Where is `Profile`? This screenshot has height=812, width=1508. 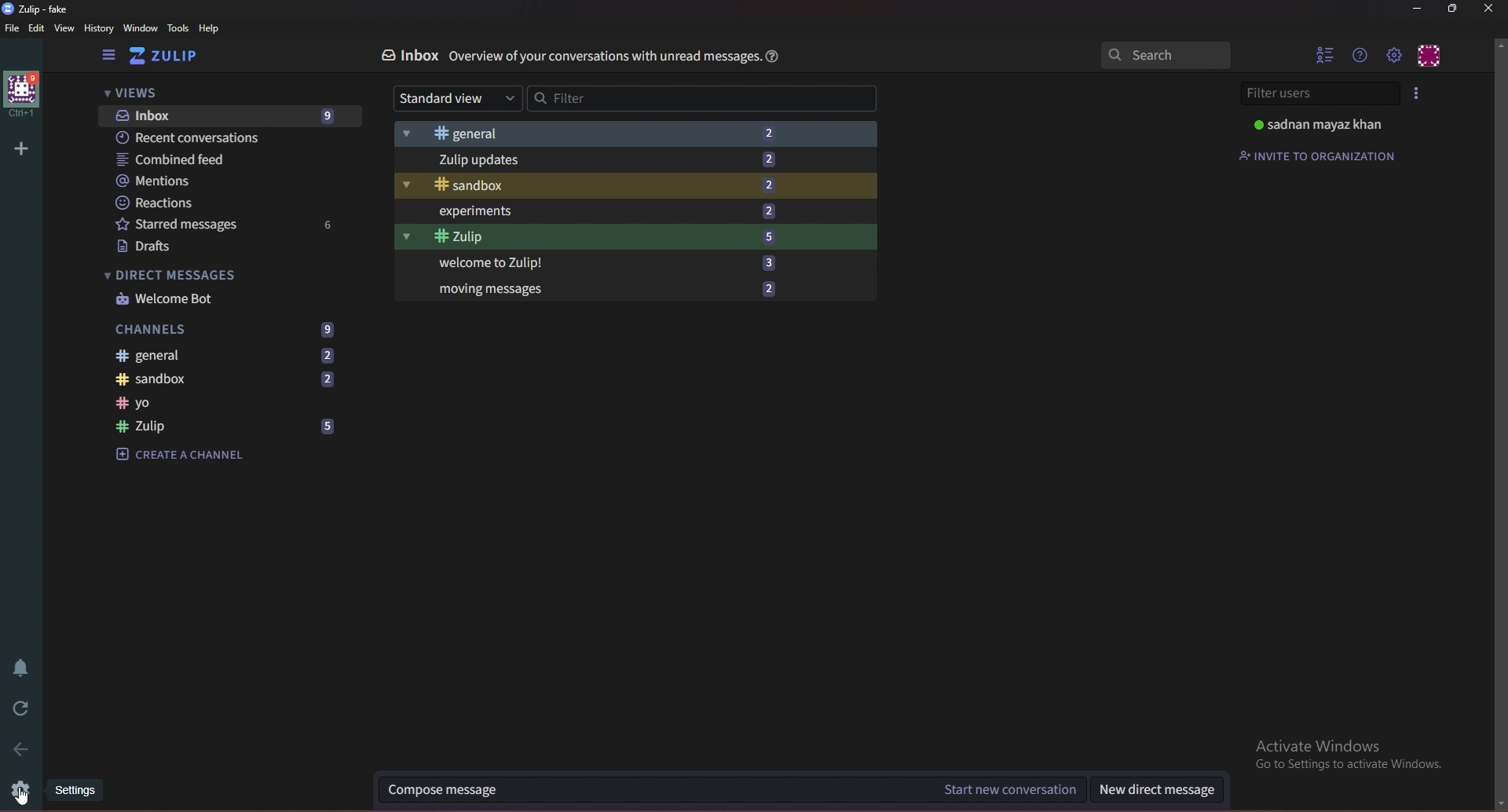
Profile is located at coordinates (1322, 126).